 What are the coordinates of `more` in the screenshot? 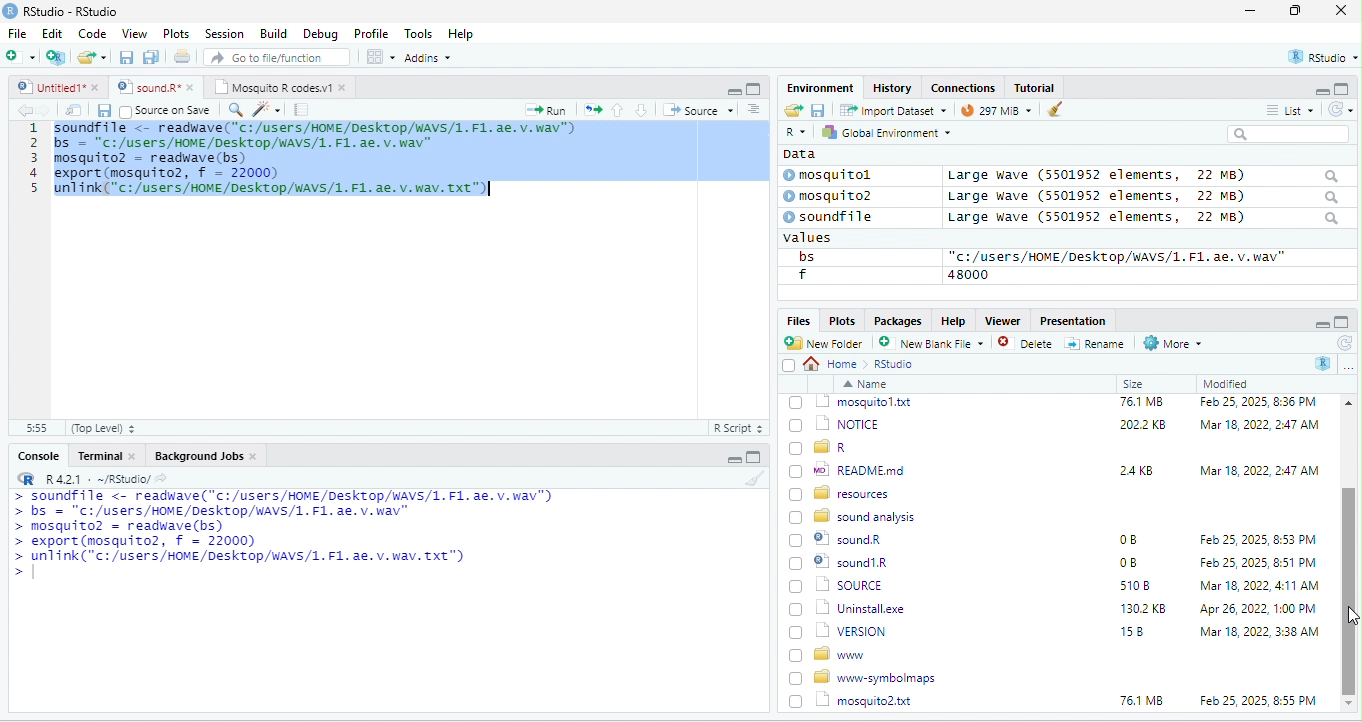 It's located at (1348, 366).